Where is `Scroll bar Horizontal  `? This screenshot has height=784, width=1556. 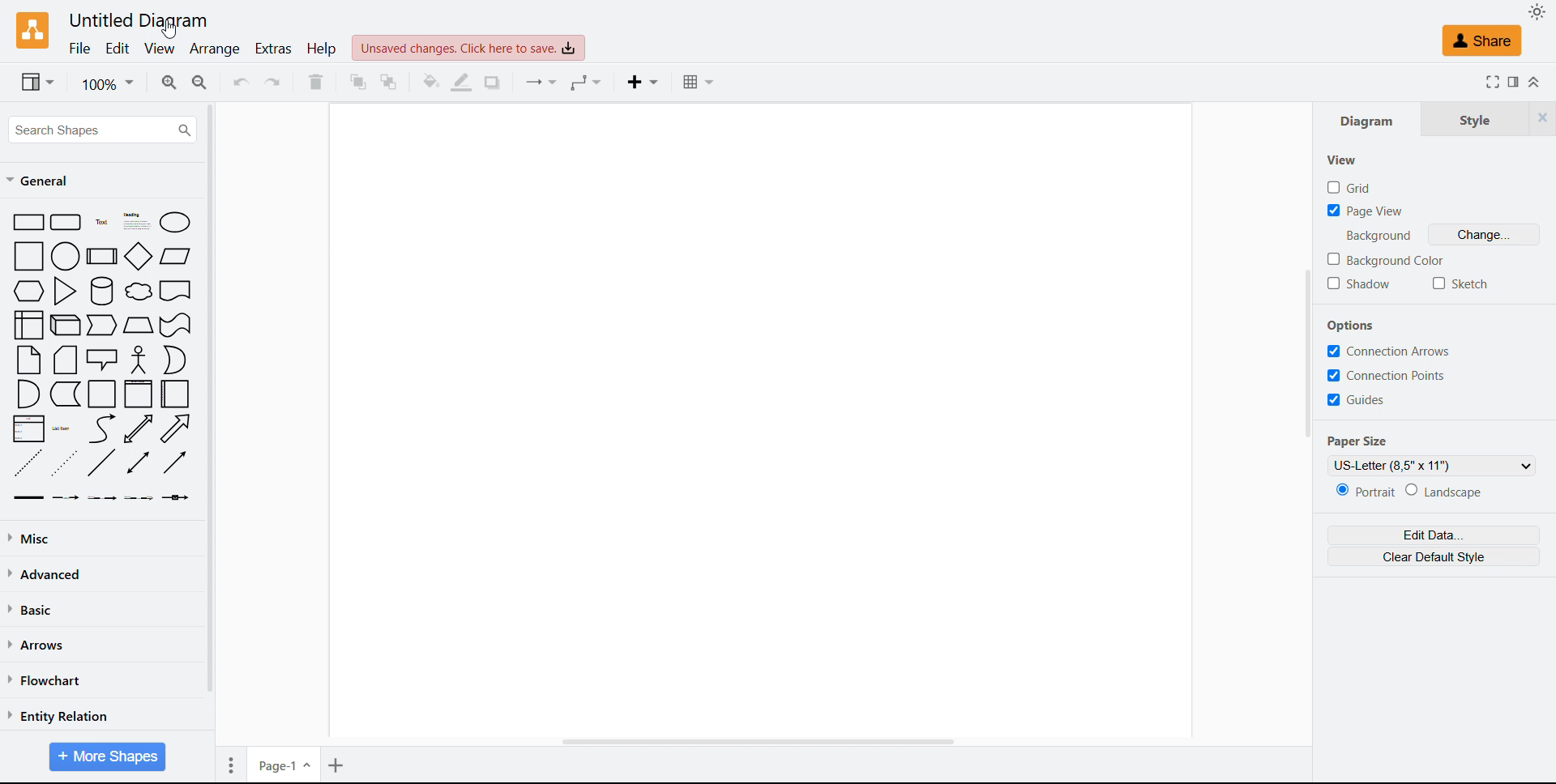 Scroll bar Horizontal   is located at coordinates (755, 744).